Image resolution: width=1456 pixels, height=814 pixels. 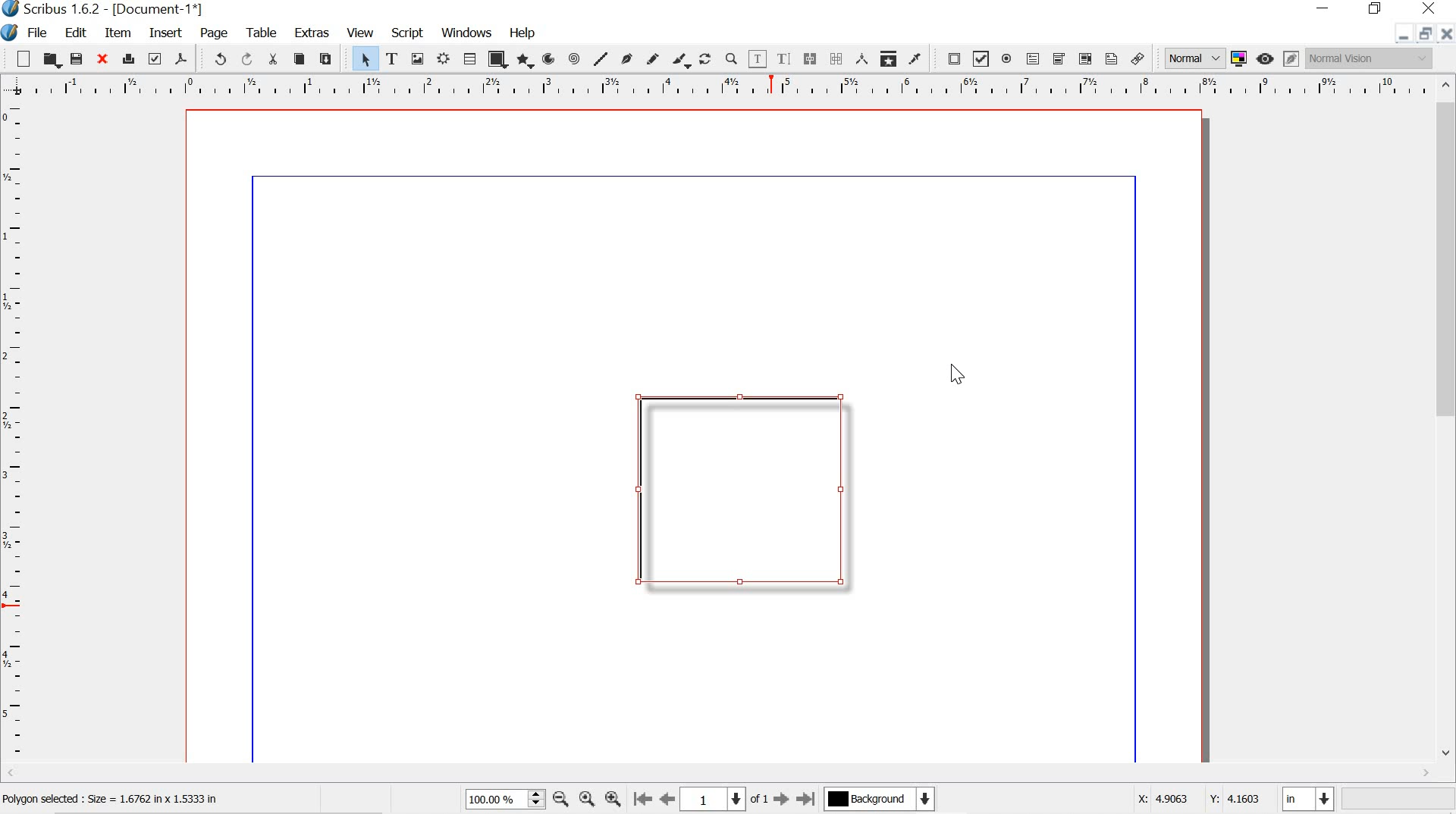 I want to click on INSERT, so click(x=165, y=34).